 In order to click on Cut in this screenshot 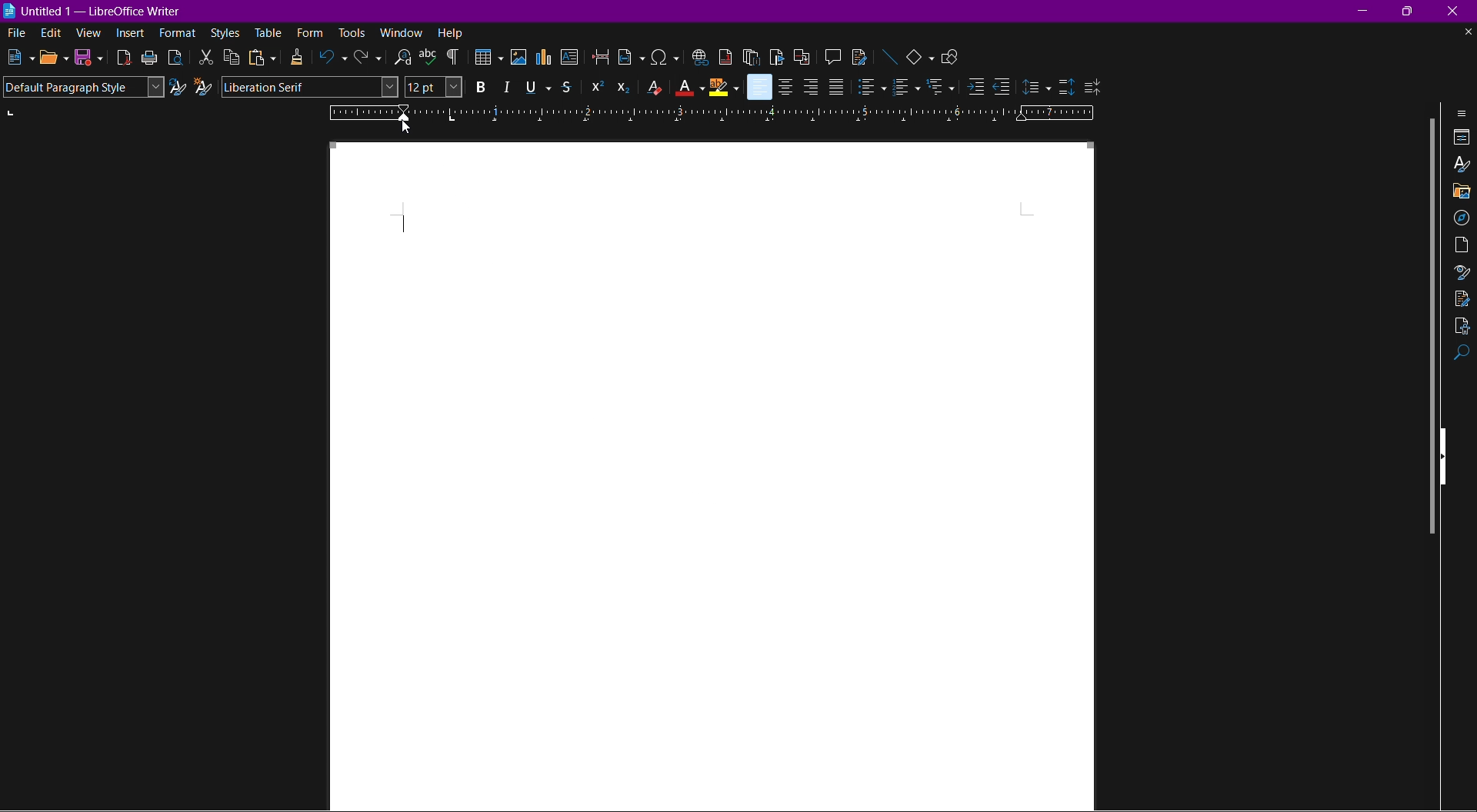, I will do `click(205, 57)`.